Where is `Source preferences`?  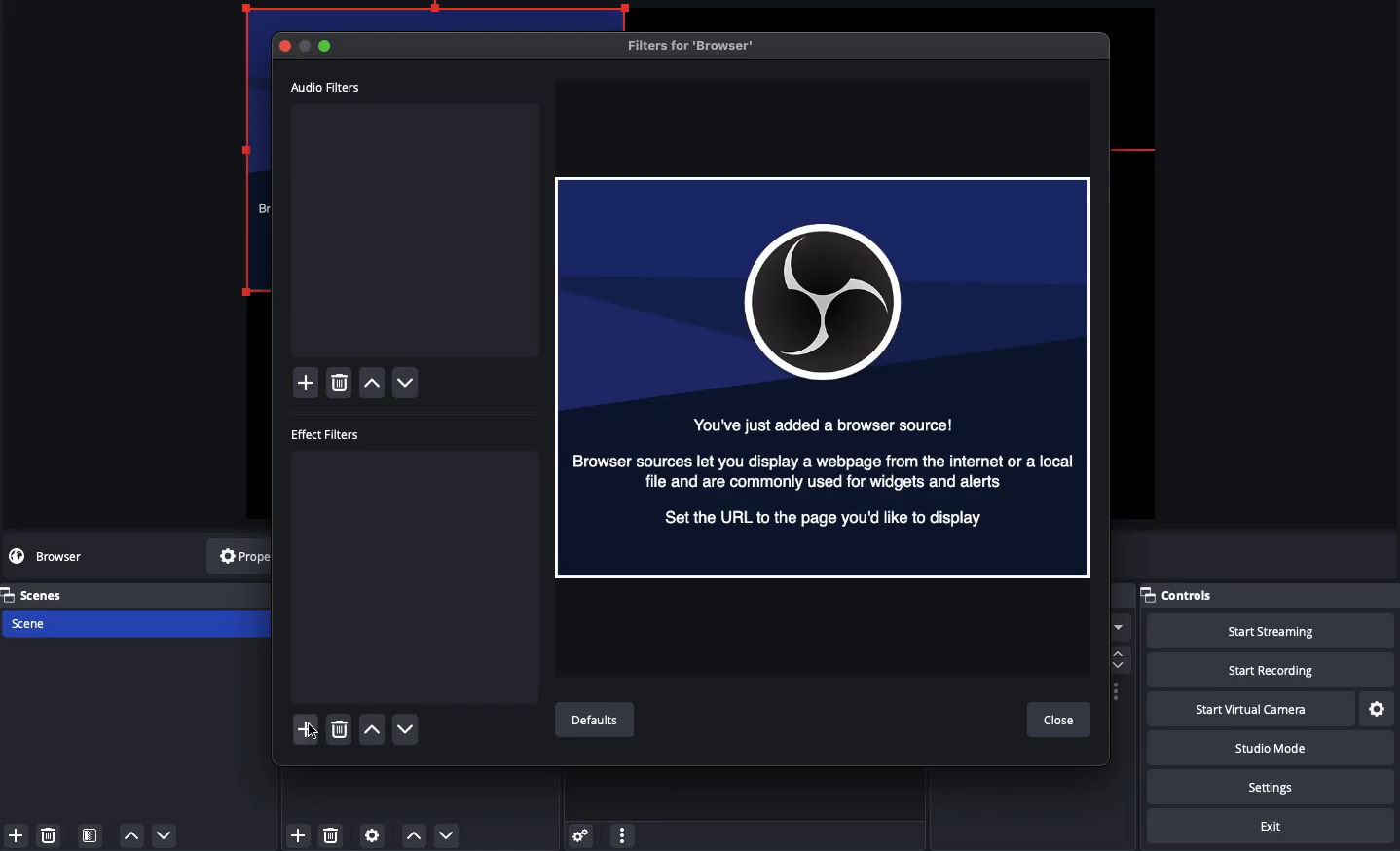
Source preferences is located at coordinates (374, 834).